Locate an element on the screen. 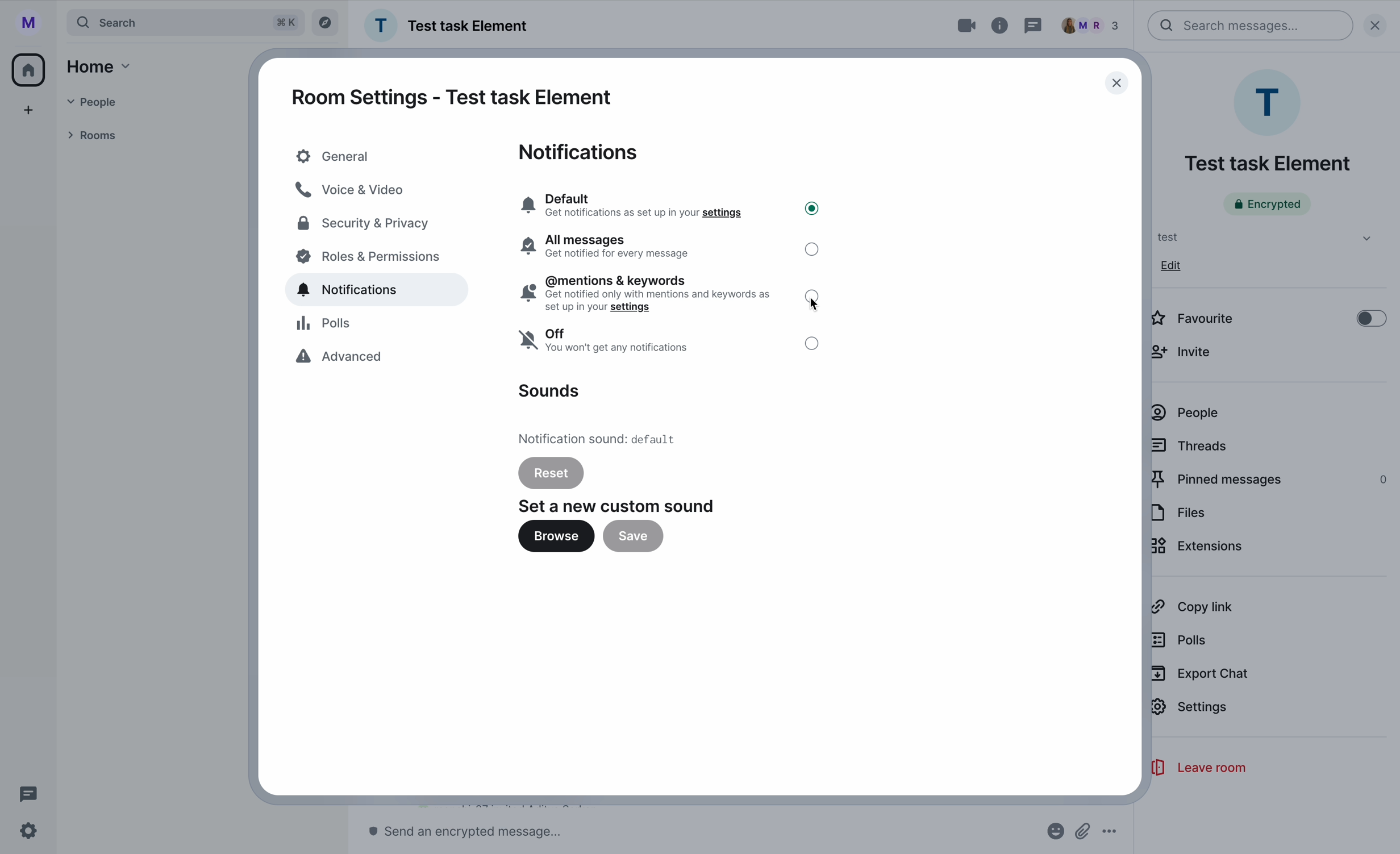 This screenshot has height=854, width=1400. add is located at coordinates (29, 110).